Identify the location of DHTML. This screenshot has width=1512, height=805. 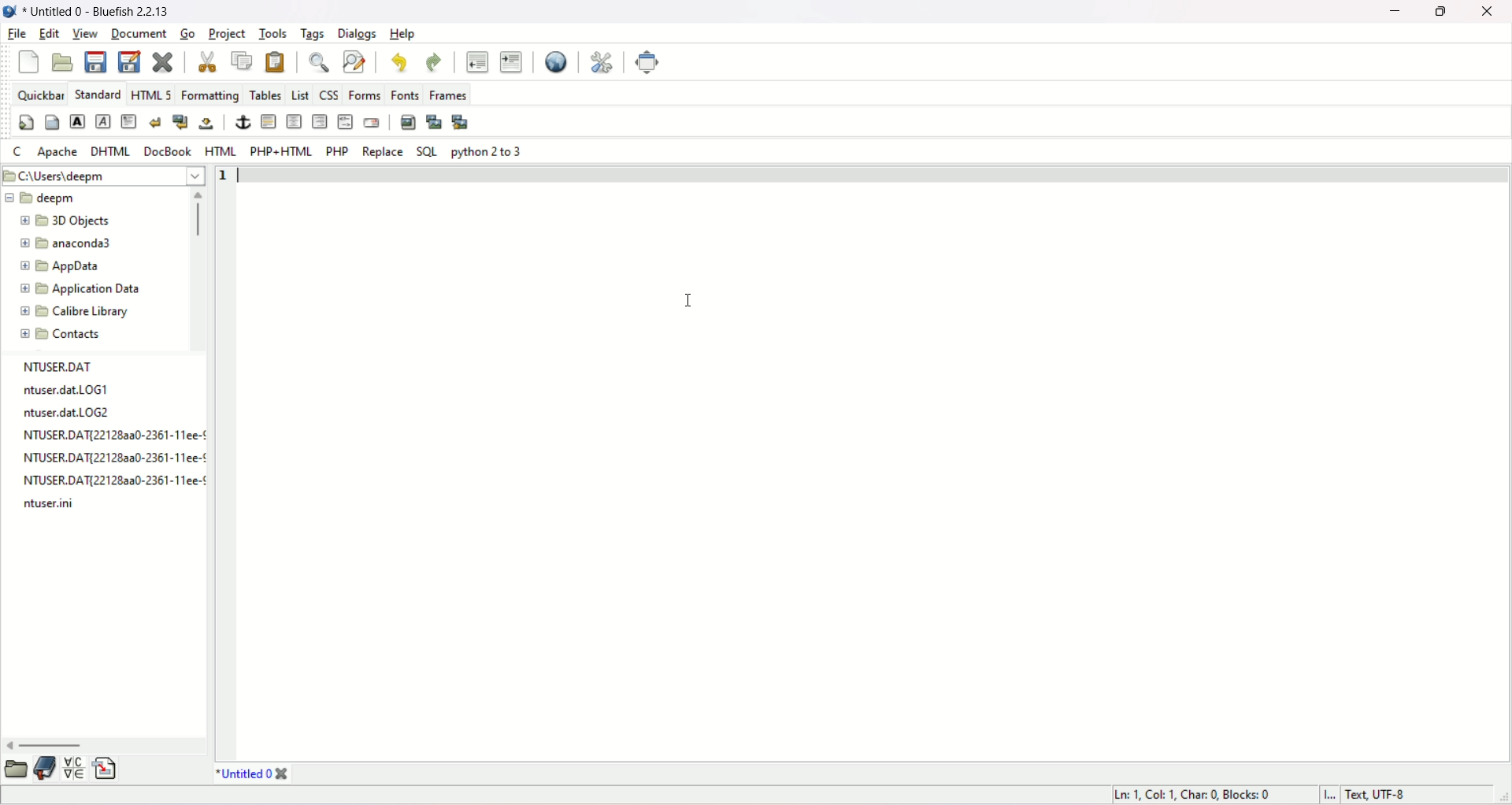
(112, 152).